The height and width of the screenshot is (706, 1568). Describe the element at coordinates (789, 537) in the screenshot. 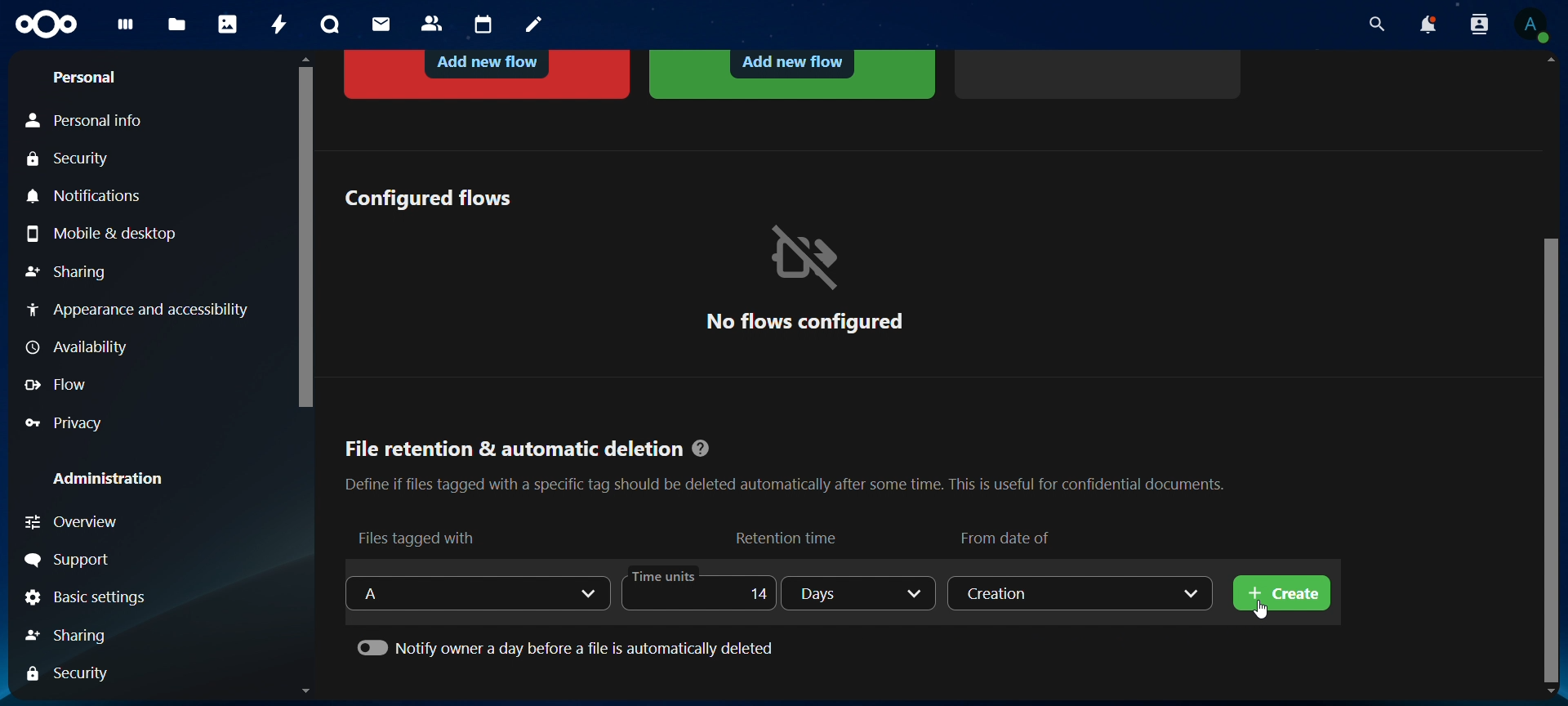

I see `retention time` at that location.